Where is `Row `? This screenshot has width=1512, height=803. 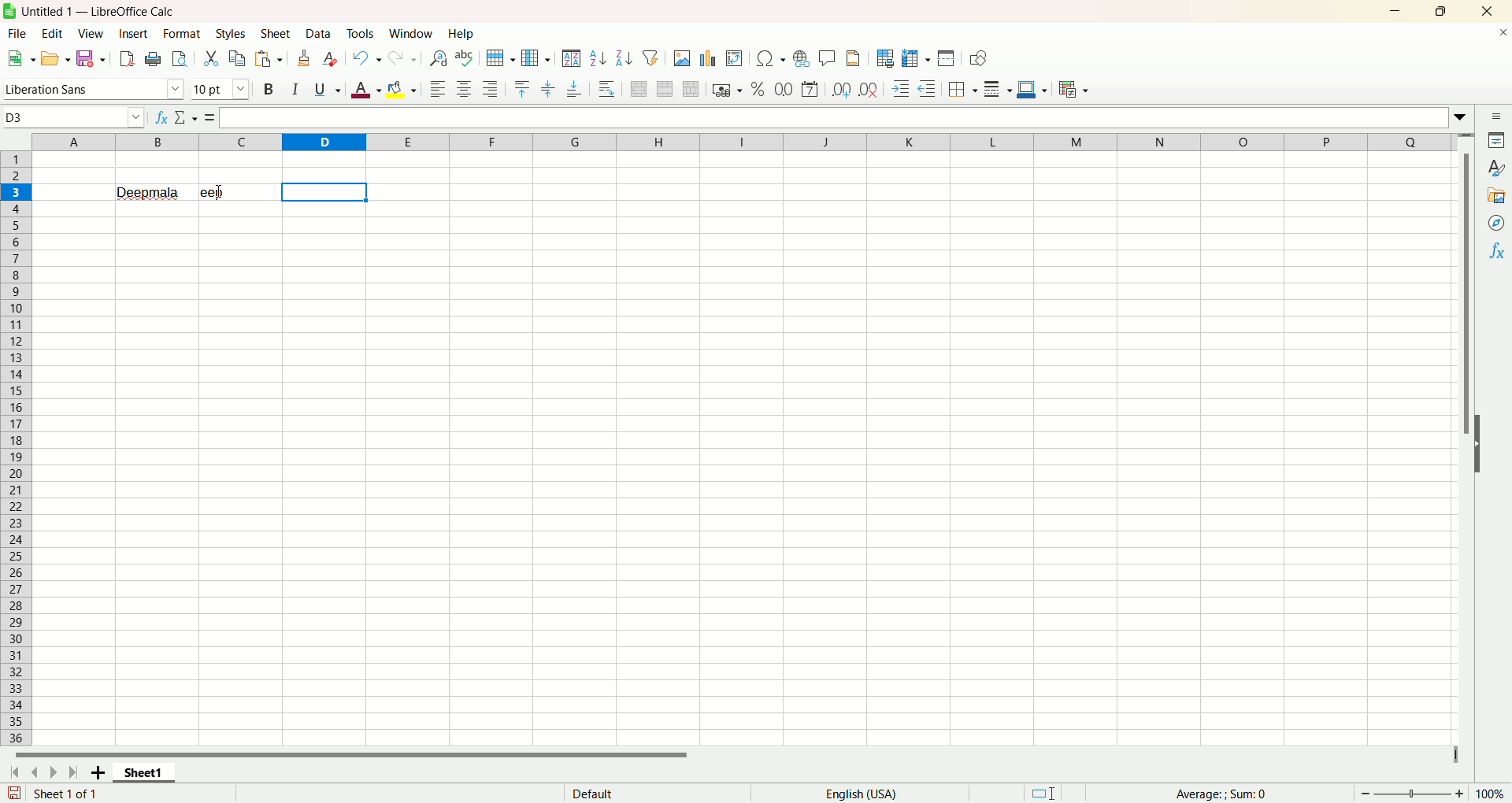
Row  is located at coordinates (19, 447).